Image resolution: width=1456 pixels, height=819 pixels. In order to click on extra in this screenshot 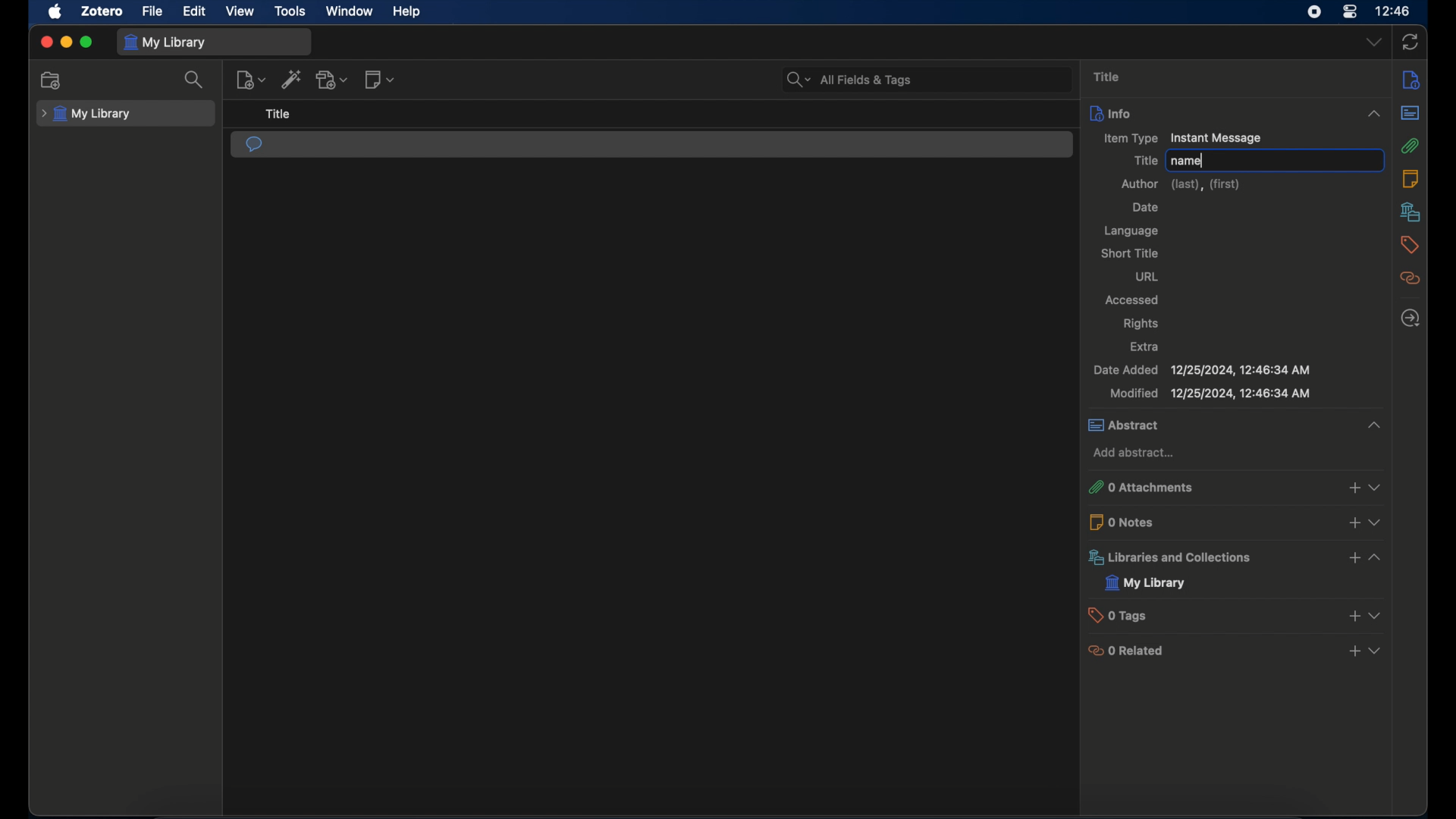, I will do `click(1145, 347)`.